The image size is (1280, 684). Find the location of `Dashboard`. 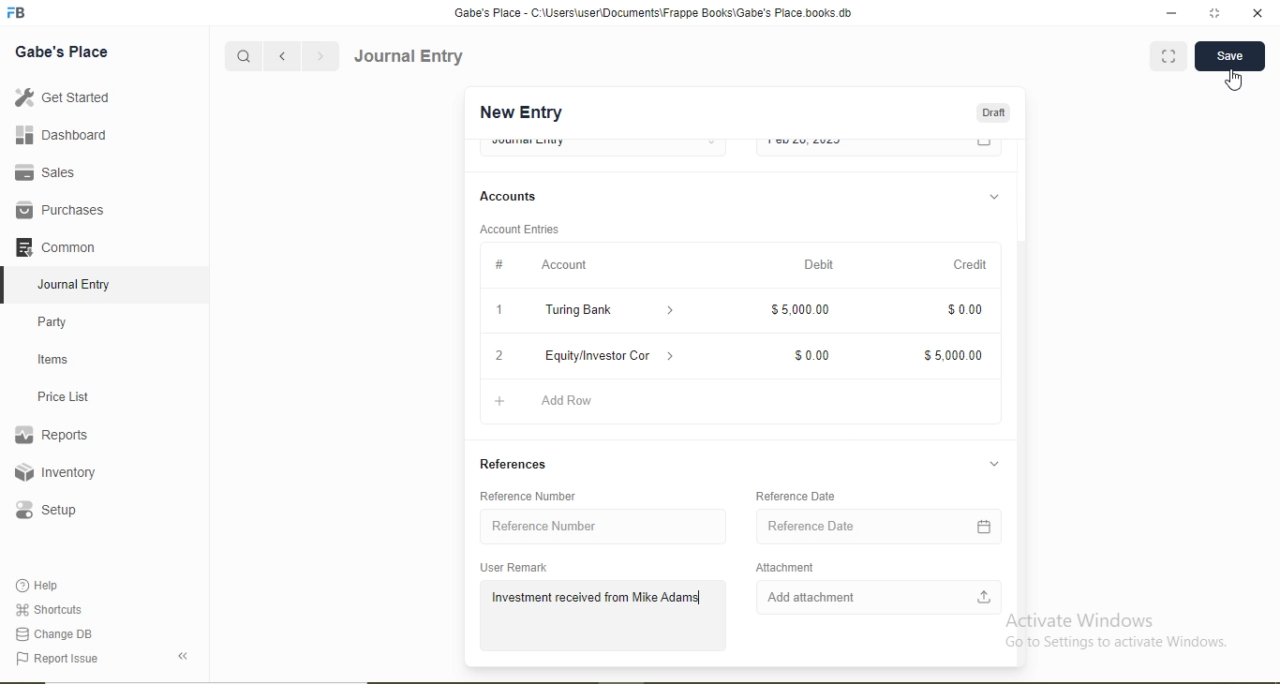

Dashboard is located at coordinates (62, 134).